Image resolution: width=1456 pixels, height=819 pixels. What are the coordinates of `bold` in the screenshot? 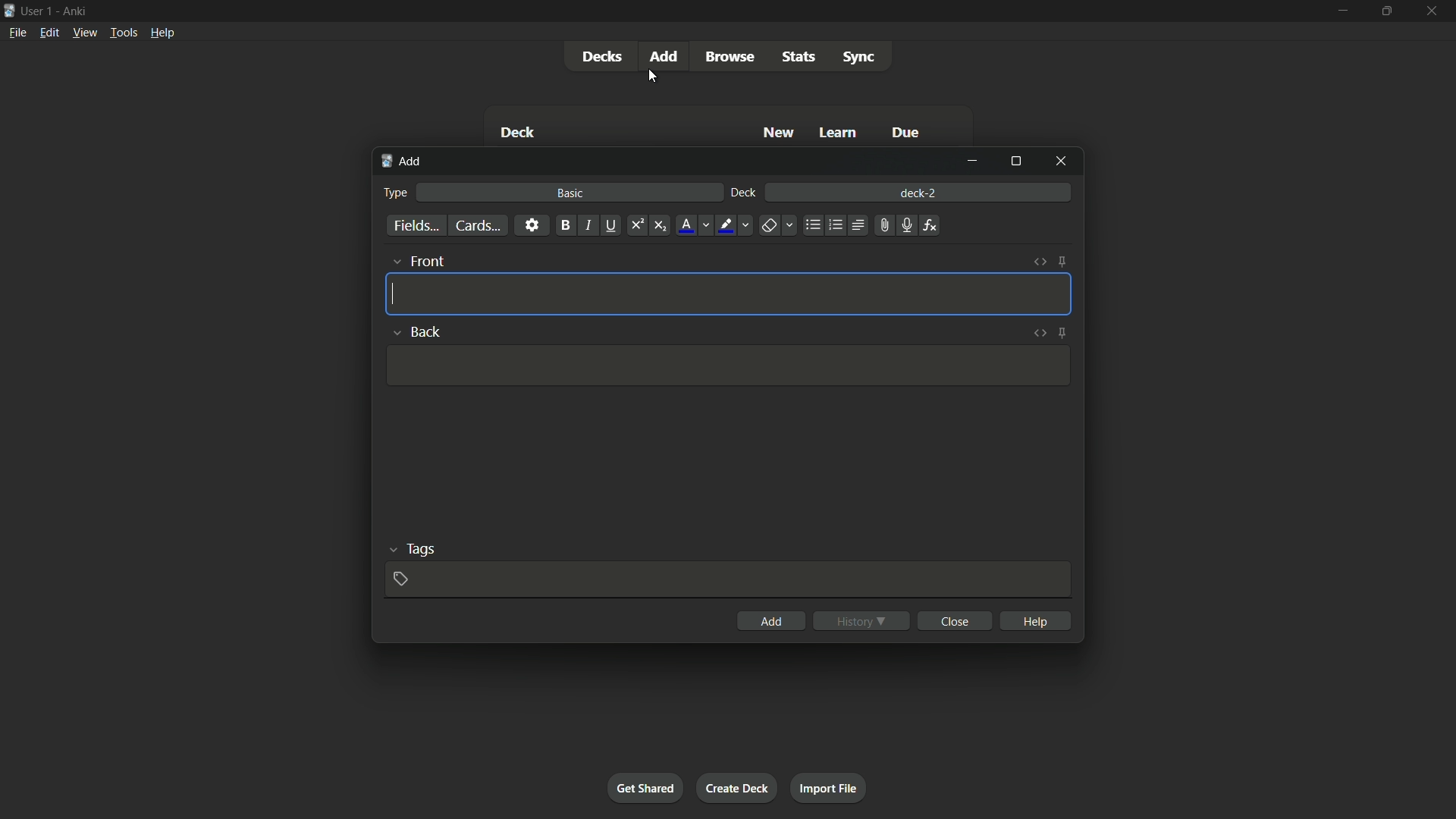 It's located at (564, 225).